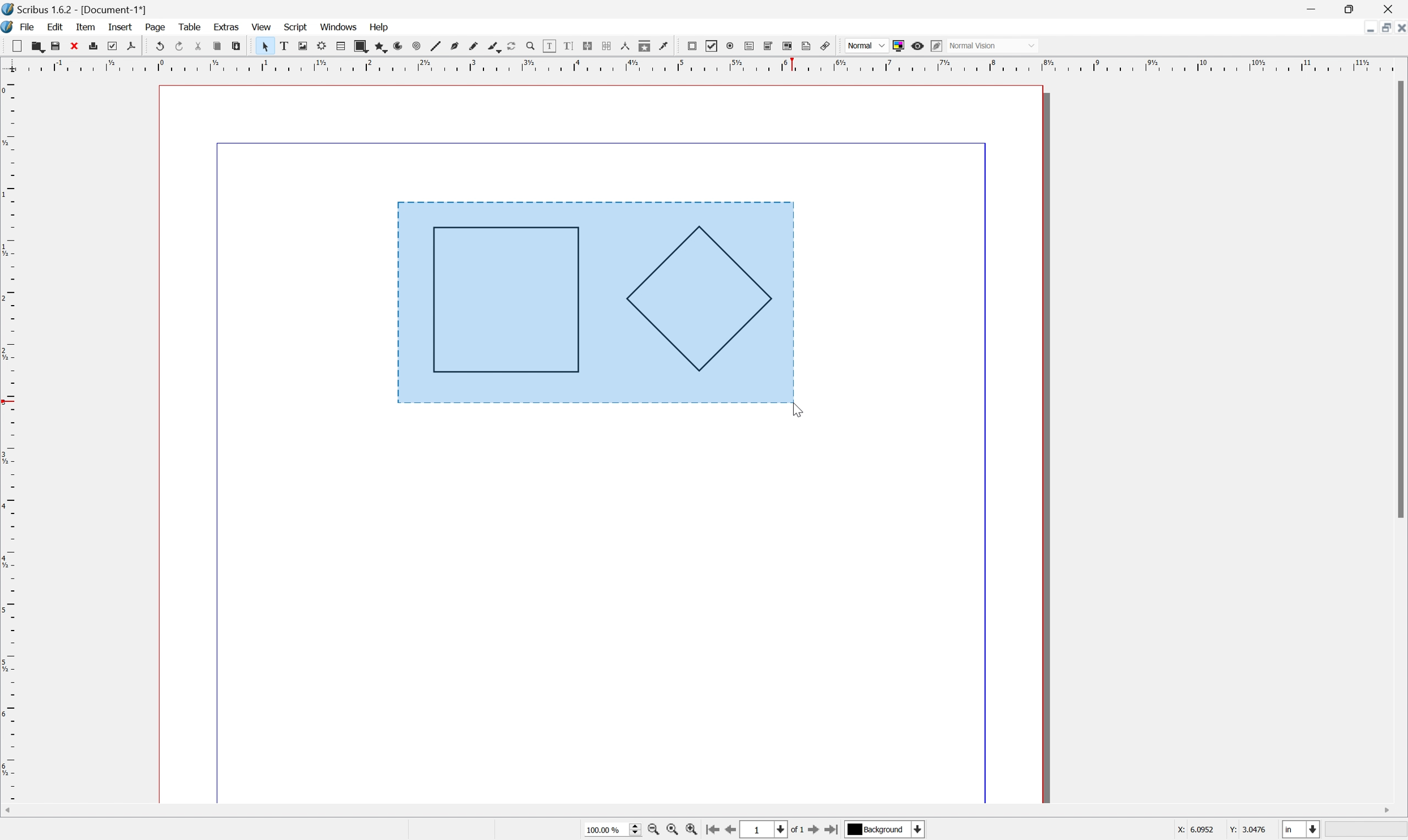 The height and width of the screenshot is (840, 1408). Describe the element at coordinates (547, 46) in the screenshot. I see `edit contents of frame` at that location.